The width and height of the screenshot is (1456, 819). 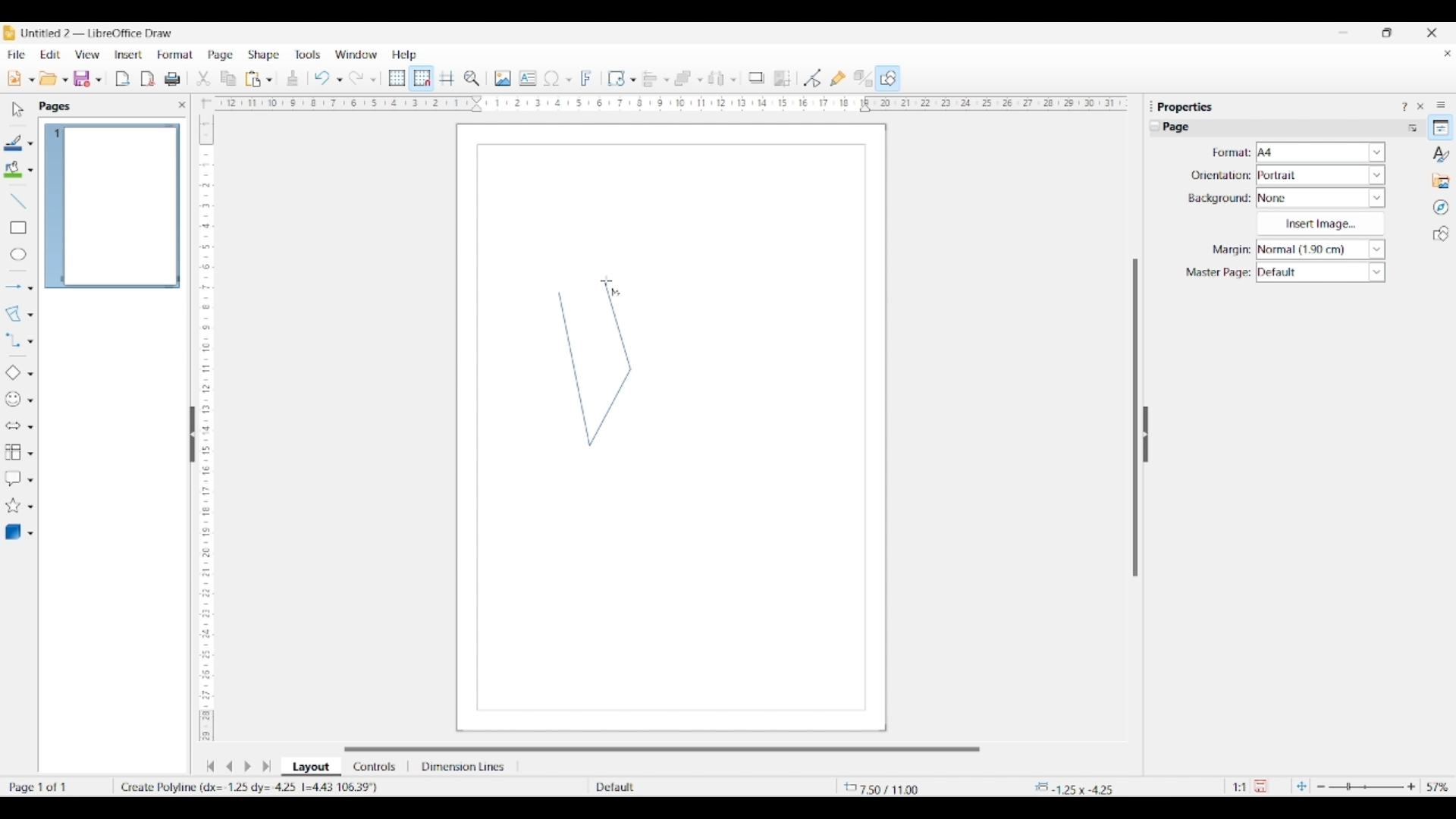 What do you see at coordinates (247, 767) in the screenshot?
I see `Move to next slide` at bounding box center [247, 767].